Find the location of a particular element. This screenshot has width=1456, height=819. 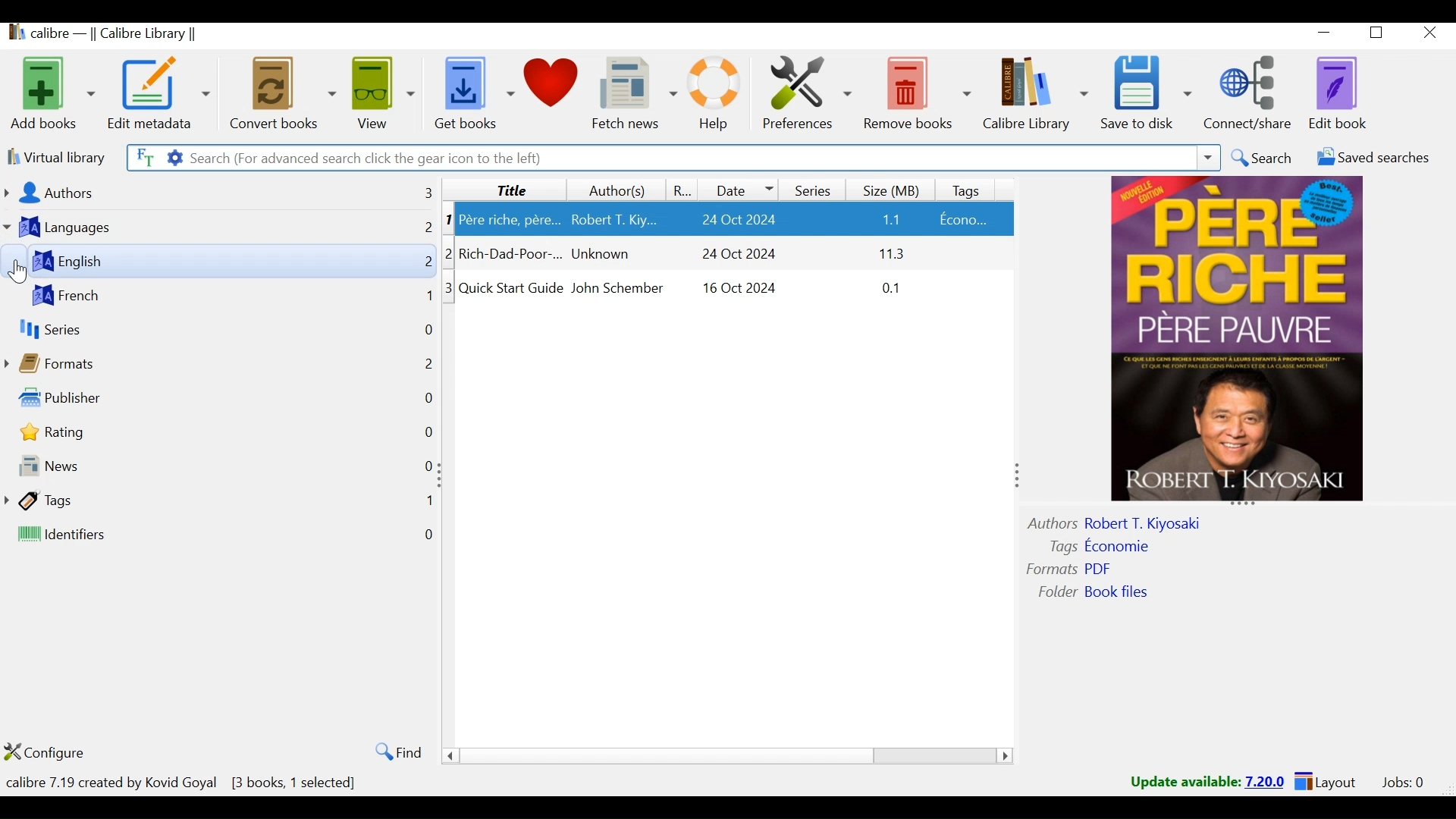

Date is located at coordinates (740, 189).